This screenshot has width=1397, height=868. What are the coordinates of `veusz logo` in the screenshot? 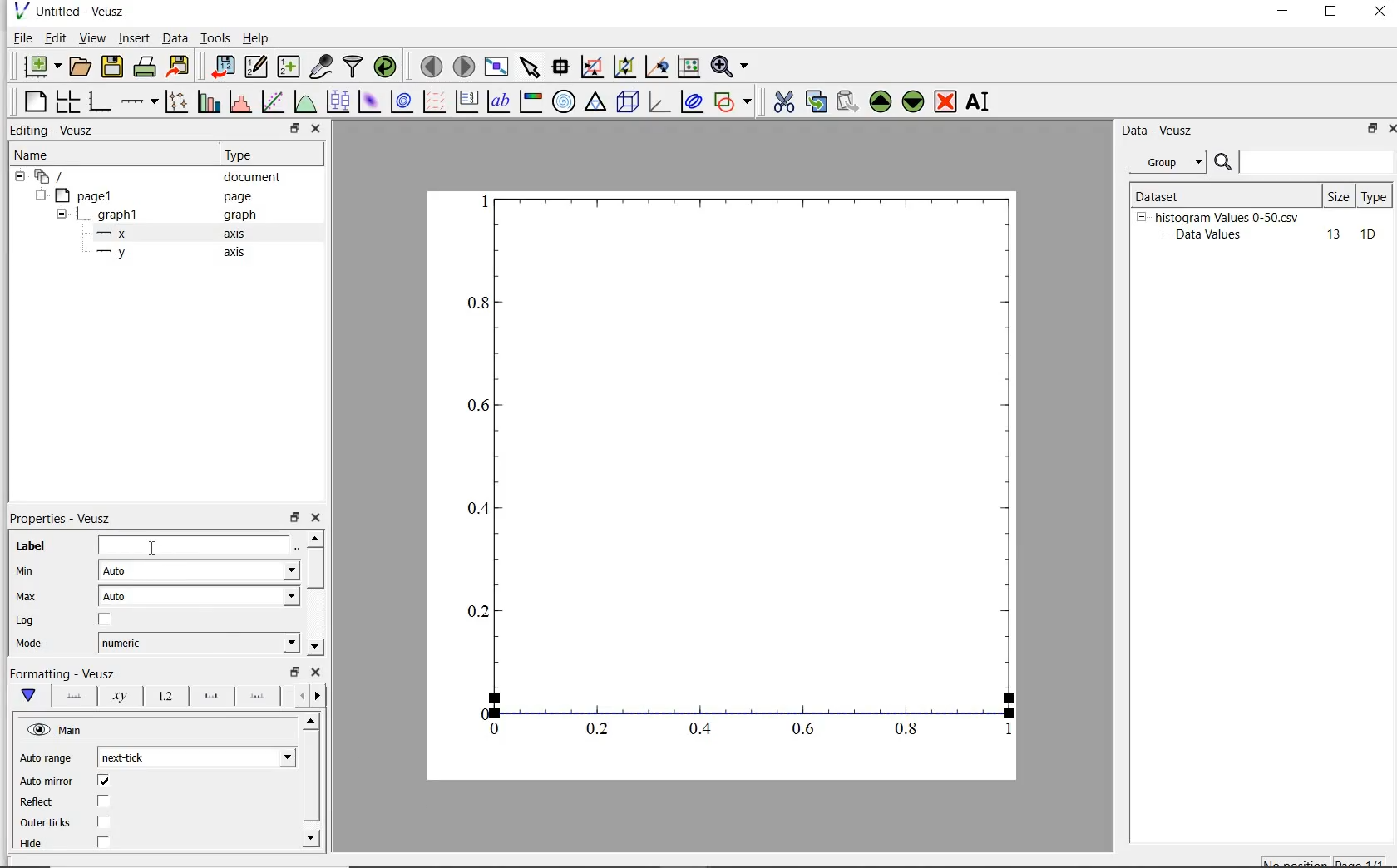 It's located at (20, 11).